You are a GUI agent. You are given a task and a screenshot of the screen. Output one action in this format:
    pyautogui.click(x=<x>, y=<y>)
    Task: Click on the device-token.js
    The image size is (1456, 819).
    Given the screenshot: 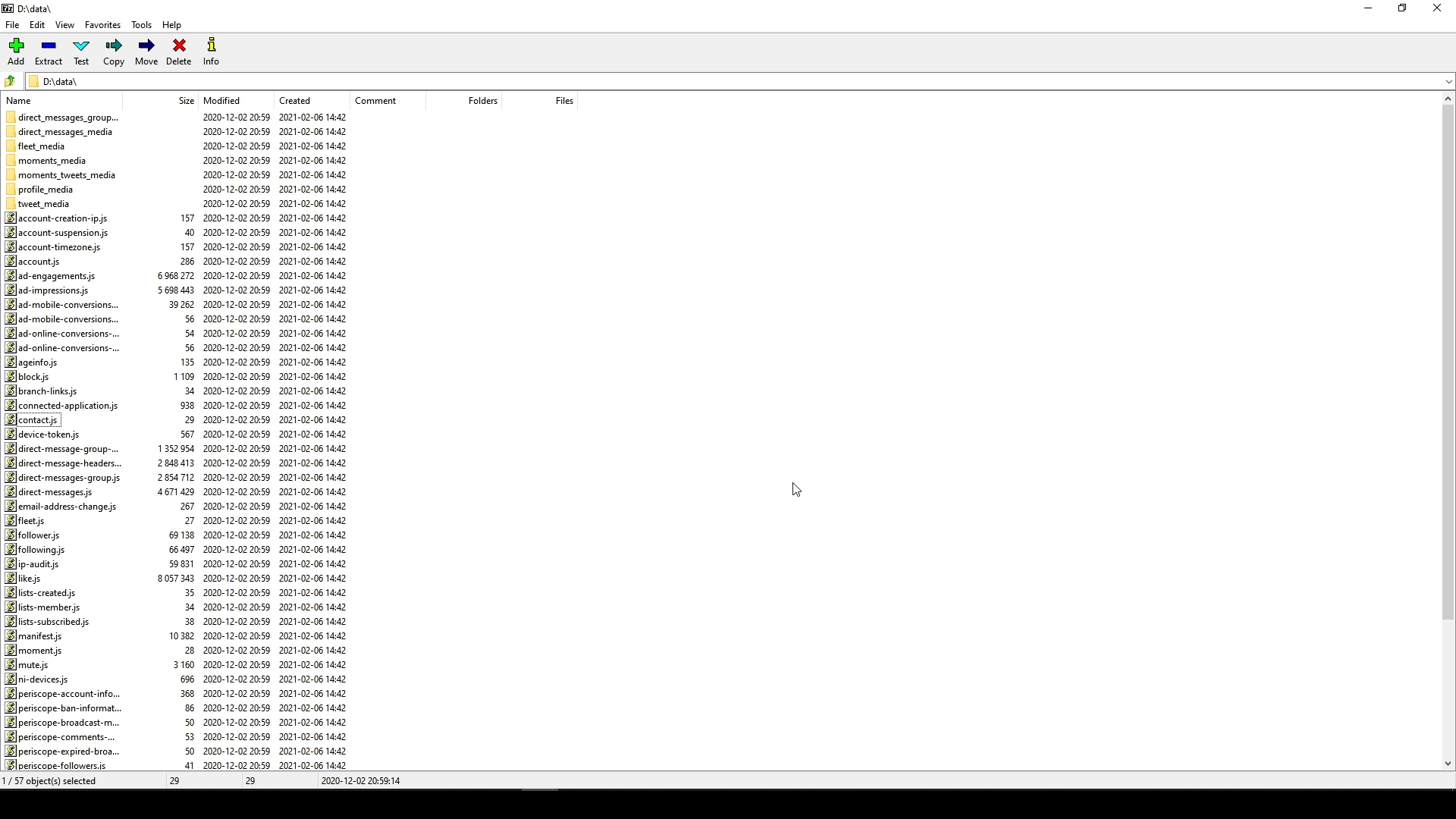 What is the action you would take?
    pyautogui.click(x=46, y=434)
    